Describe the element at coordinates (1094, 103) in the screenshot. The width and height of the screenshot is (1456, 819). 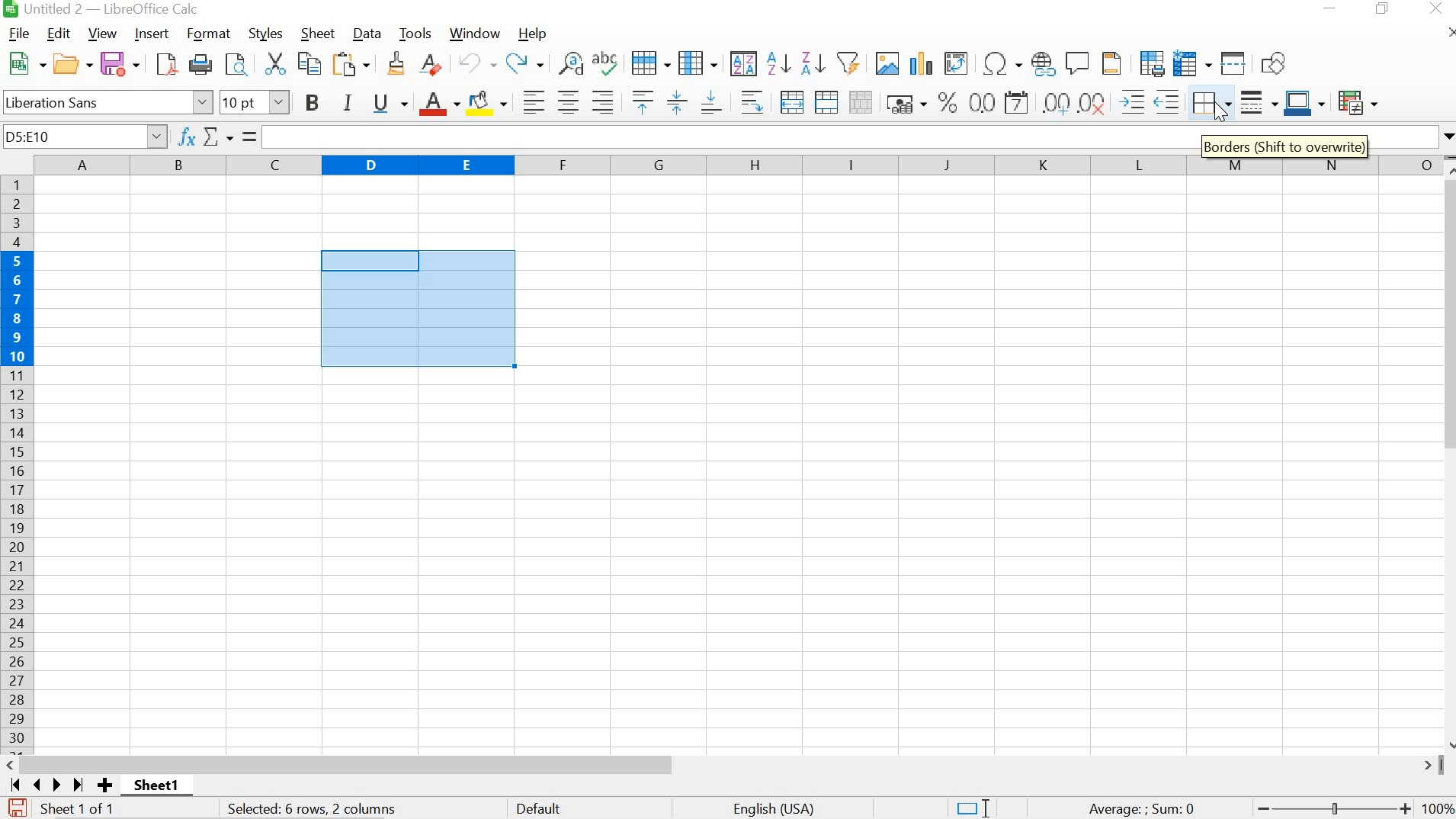
I see `REMOVE DECIMAL PLACE` at that location.